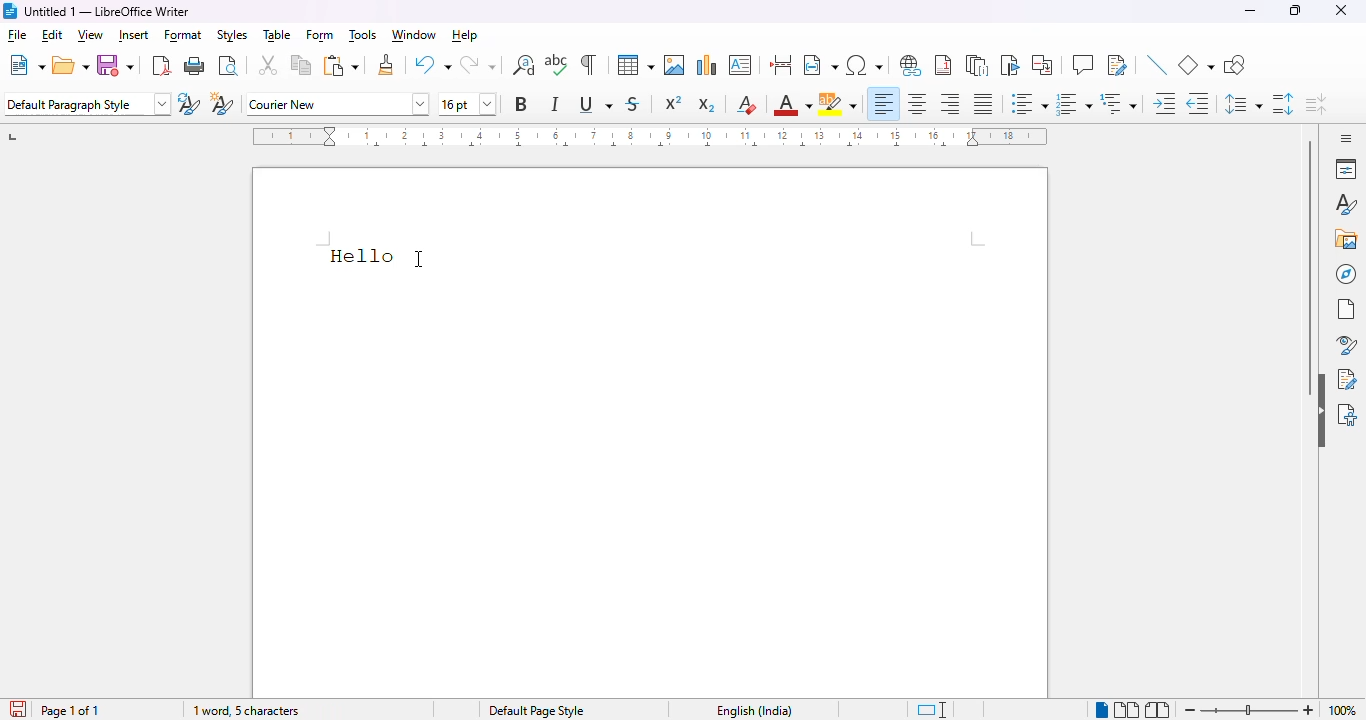 This screenshot has width=1366, height=720. I want to click on gallery, so click(1346, 239).